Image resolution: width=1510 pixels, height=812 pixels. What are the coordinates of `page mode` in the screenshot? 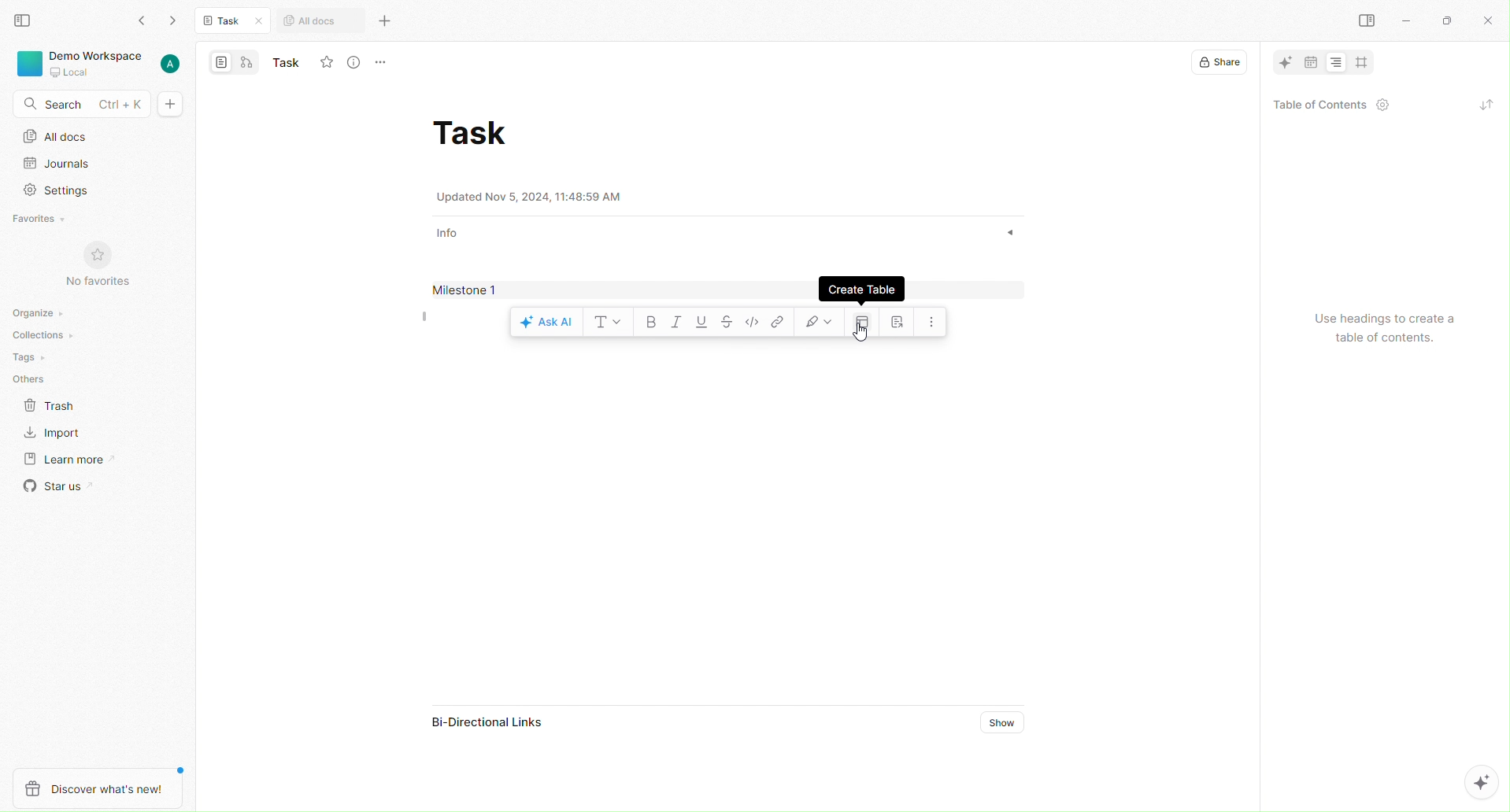 It's located at (220, 64).